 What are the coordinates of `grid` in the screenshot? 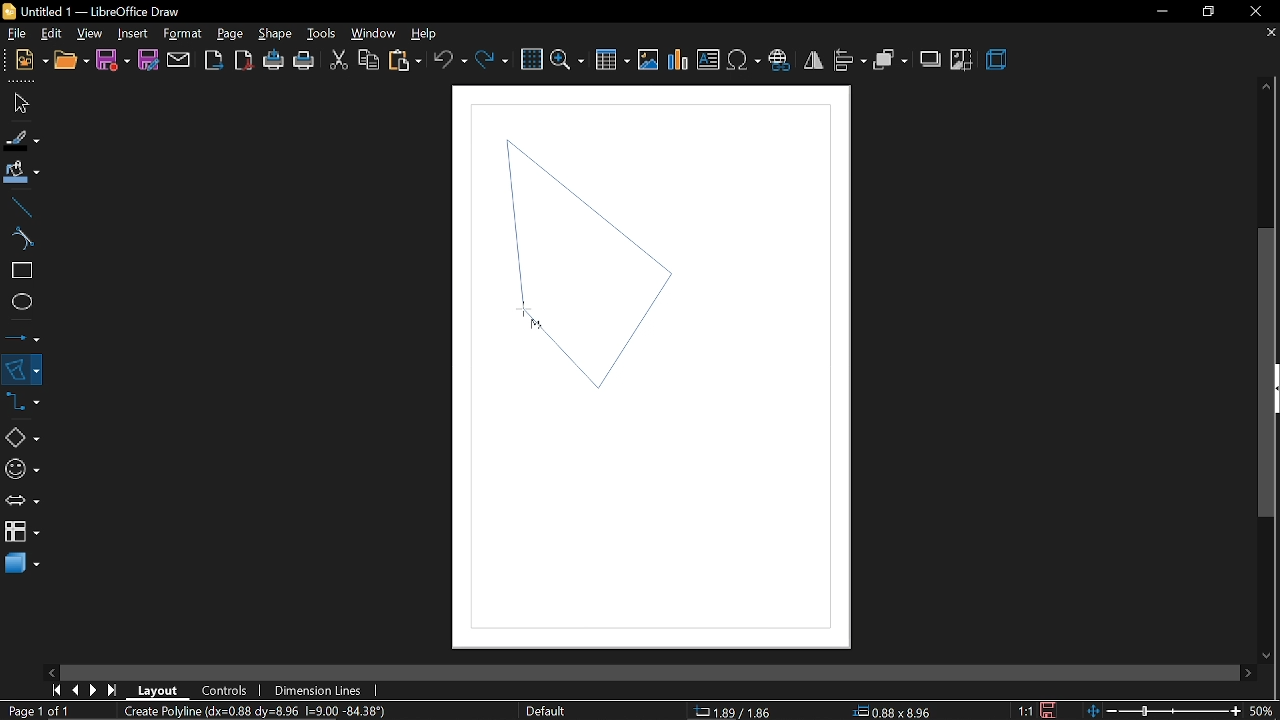 It's located at (532, 60).